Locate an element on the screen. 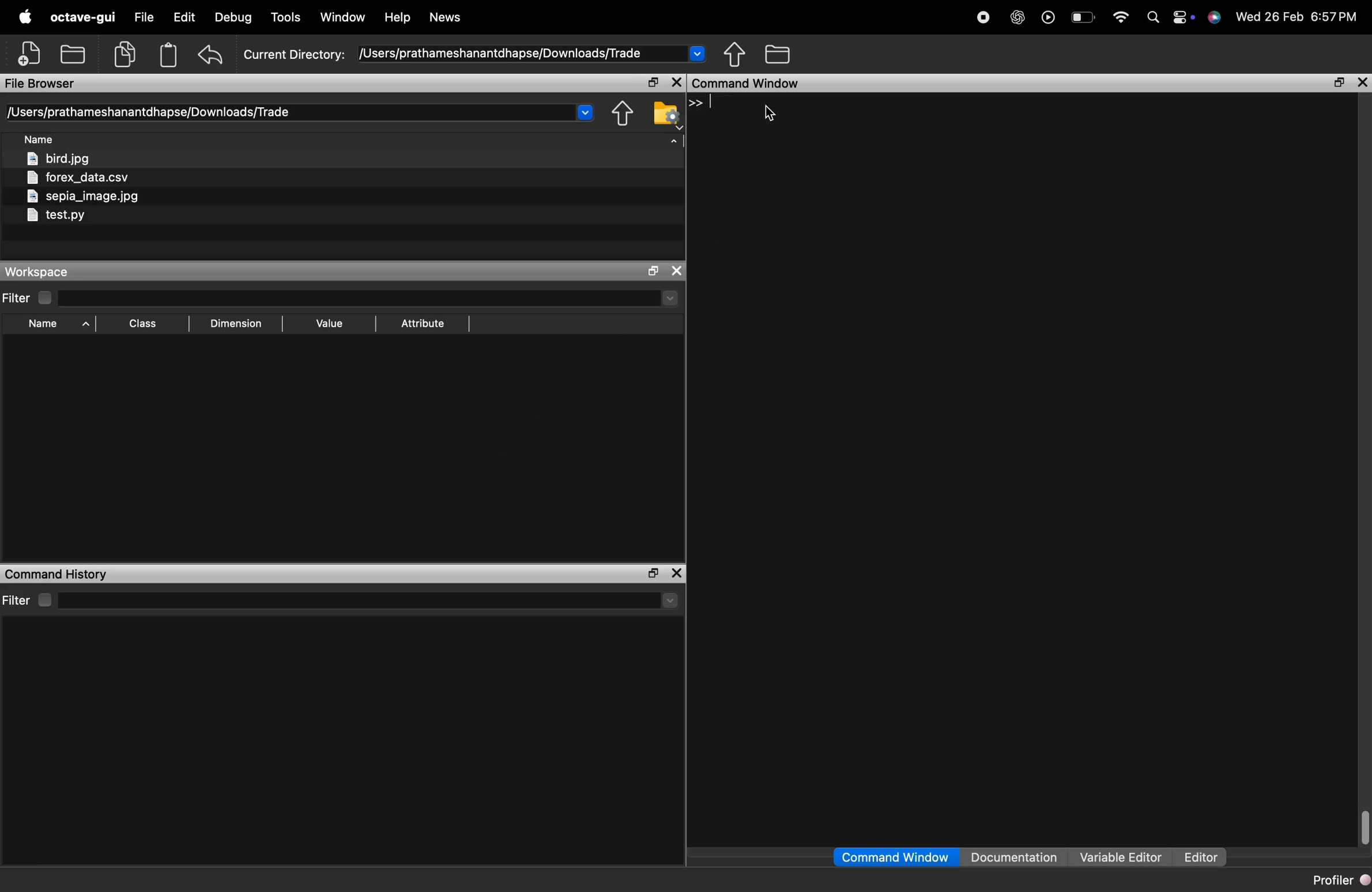  filter is located at coordinates (28, 298).